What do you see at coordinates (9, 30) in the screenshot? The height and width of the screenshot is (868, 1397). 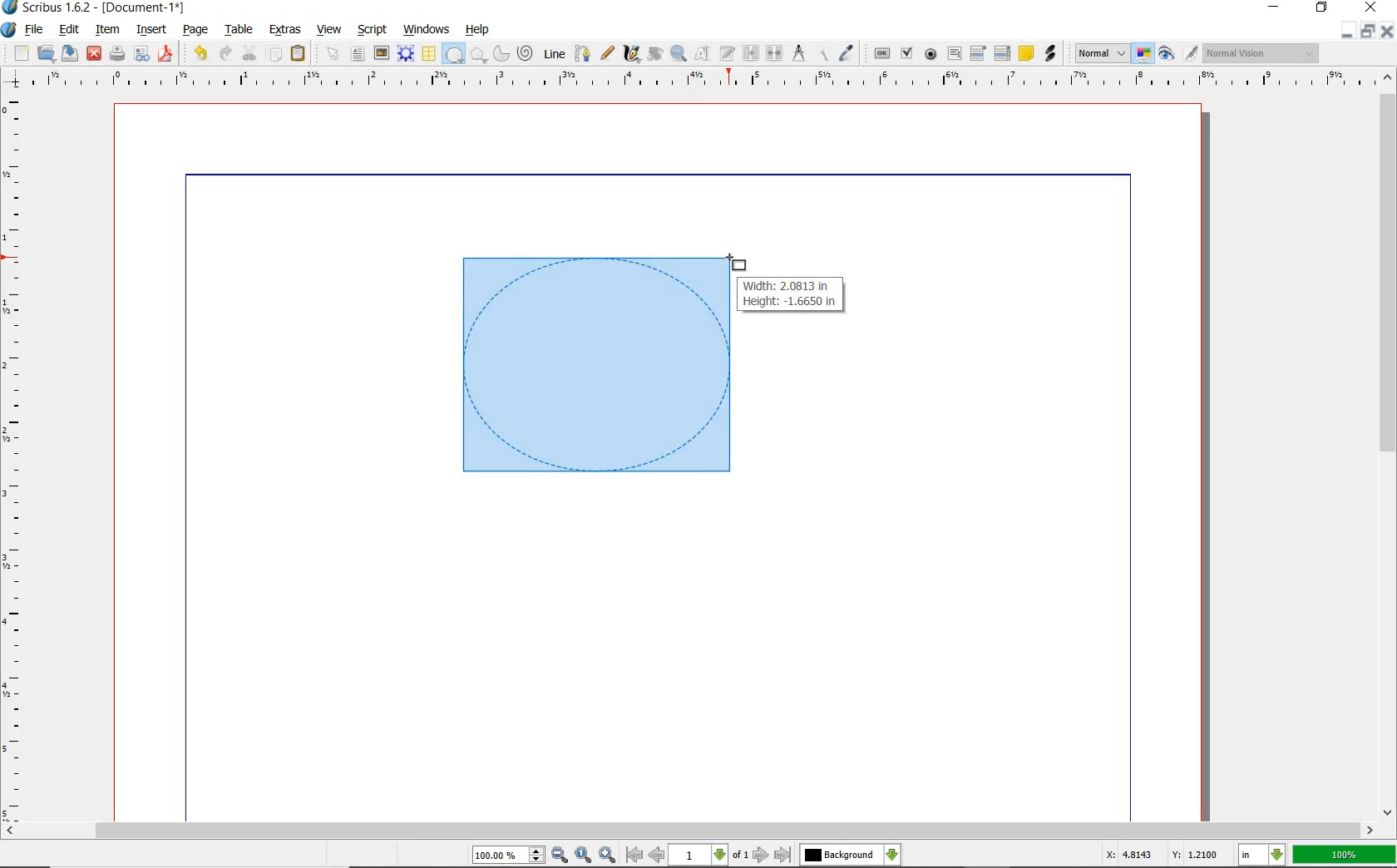 I see `SYSTEM LOGO` at bounding box center [9, 30].